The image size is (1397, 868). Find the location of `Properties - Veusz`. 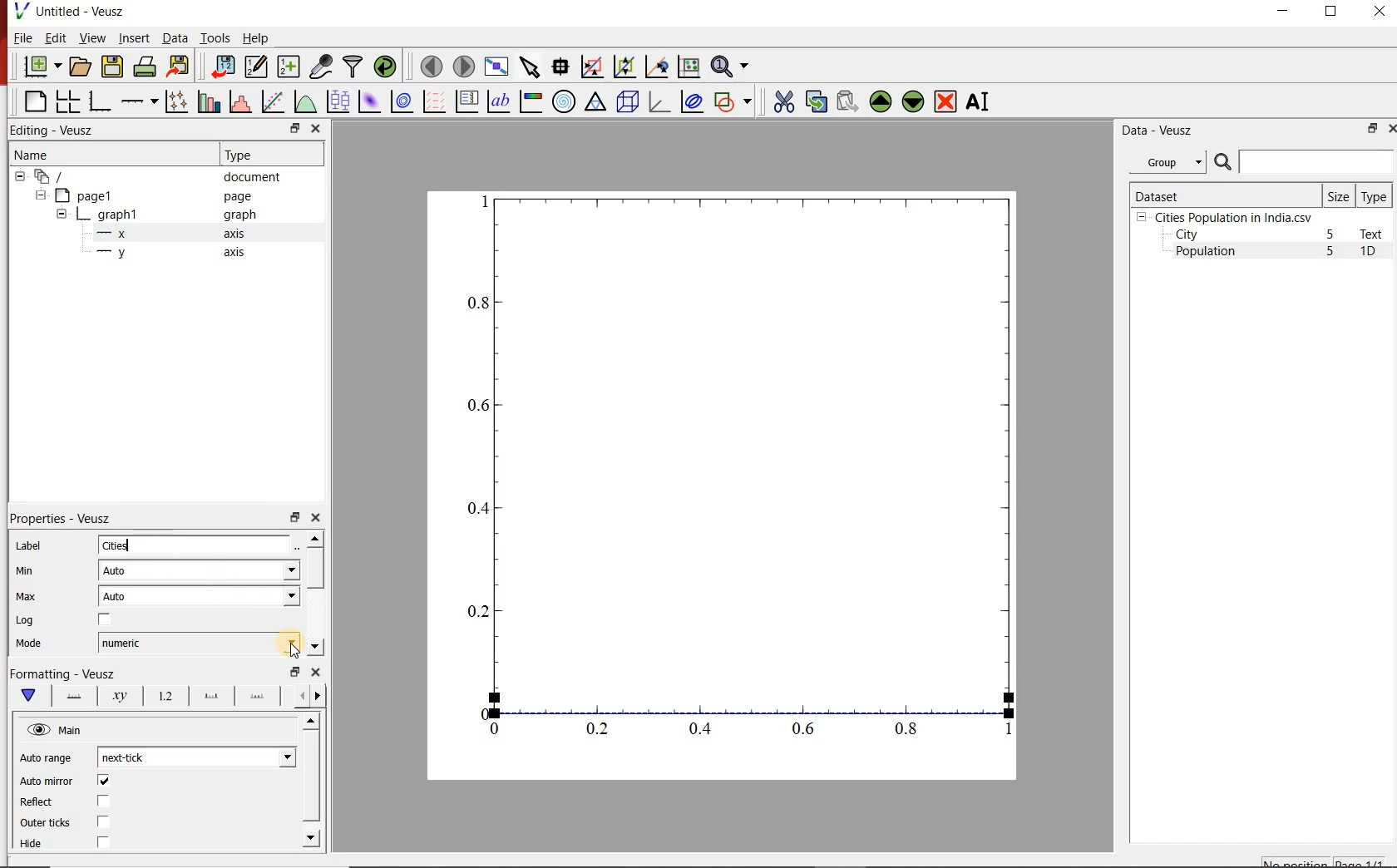

Properties - Veusz is located at coordinates (60, 519).